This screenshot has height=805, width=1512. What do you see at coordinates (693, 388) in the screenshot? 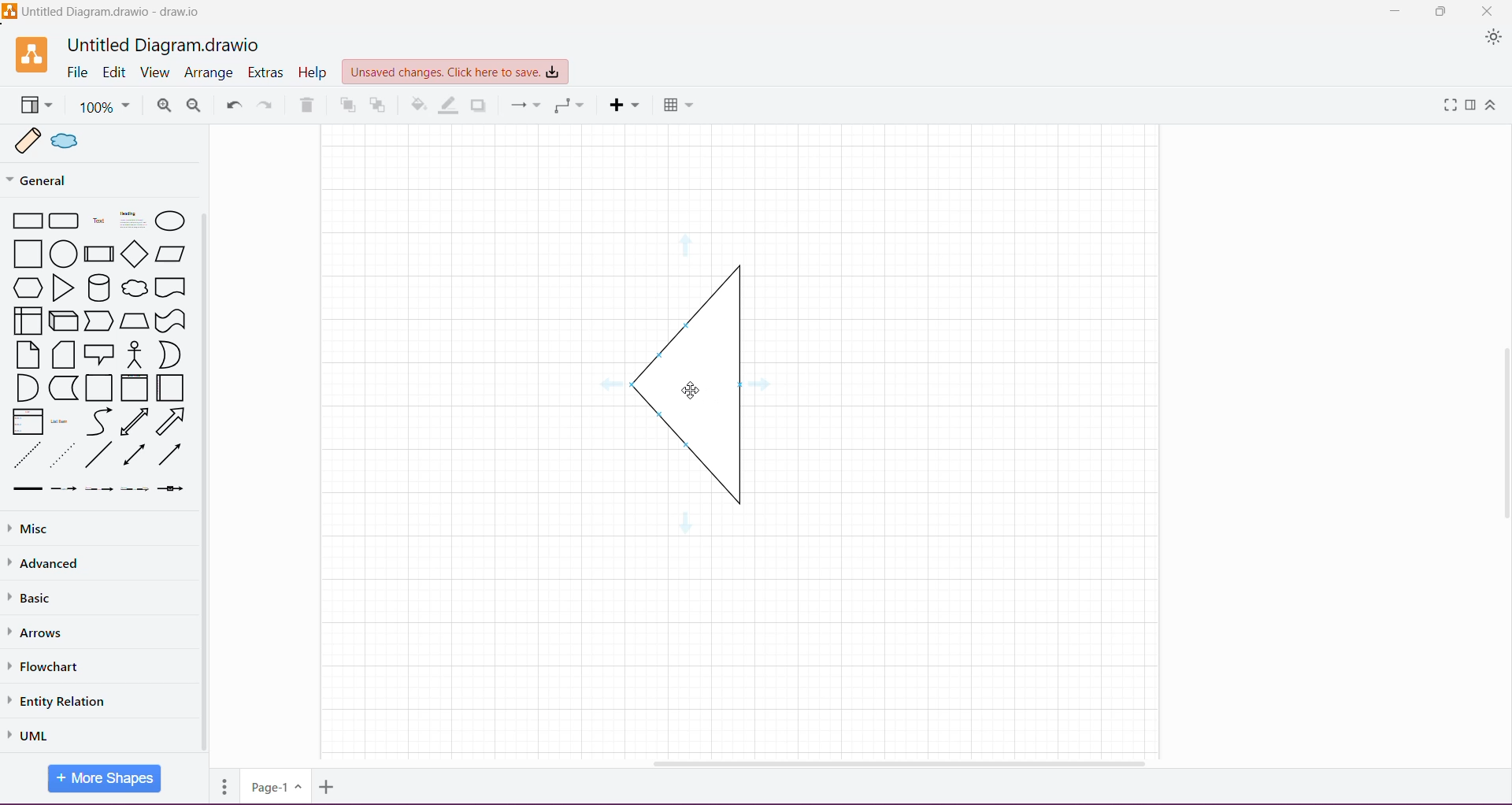
I see `Shape` at bounding box center [693, 388].